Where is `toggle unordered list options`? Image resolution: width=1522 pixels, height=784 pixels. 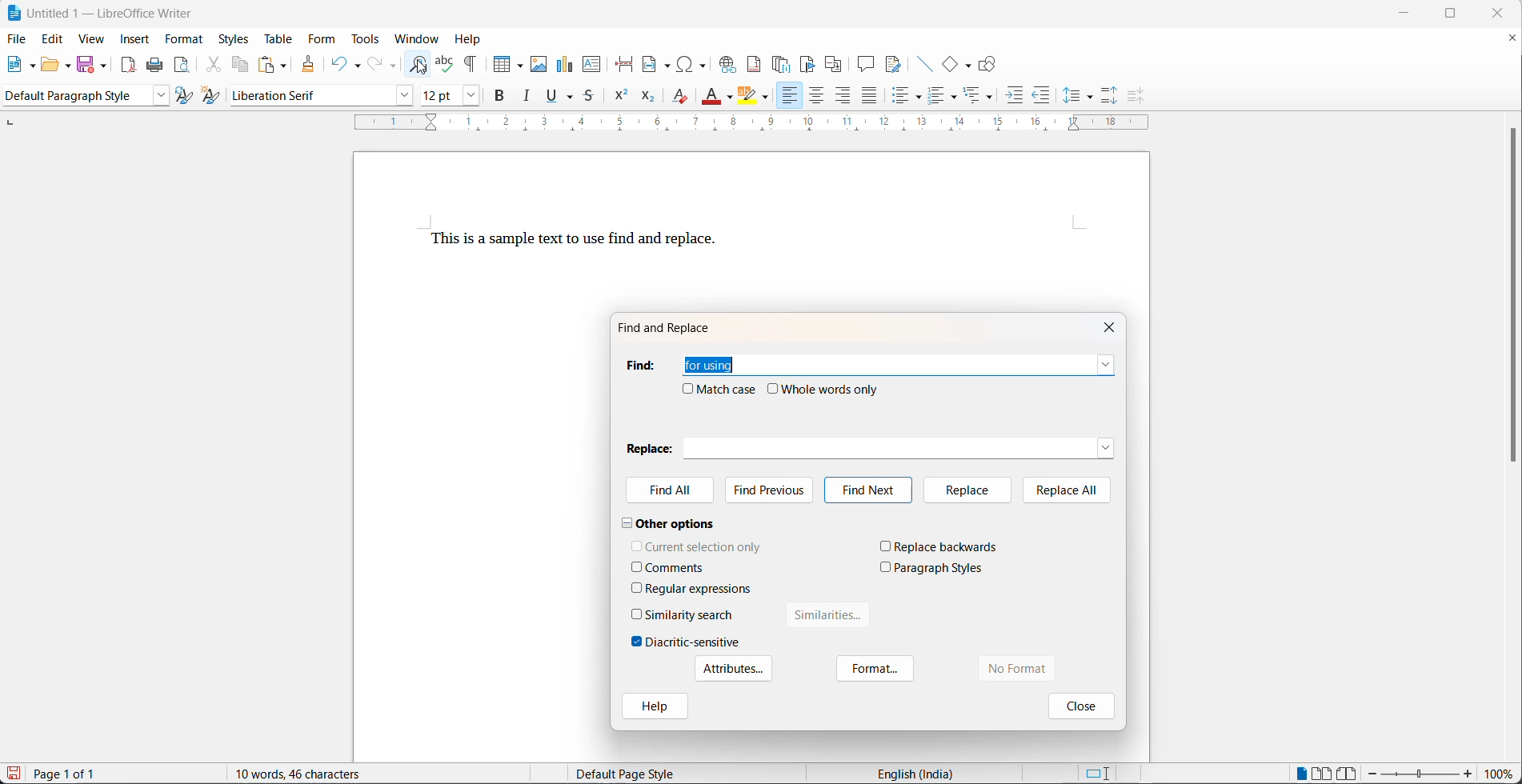 toggle unordered list options is located at coordinates (920, 98).